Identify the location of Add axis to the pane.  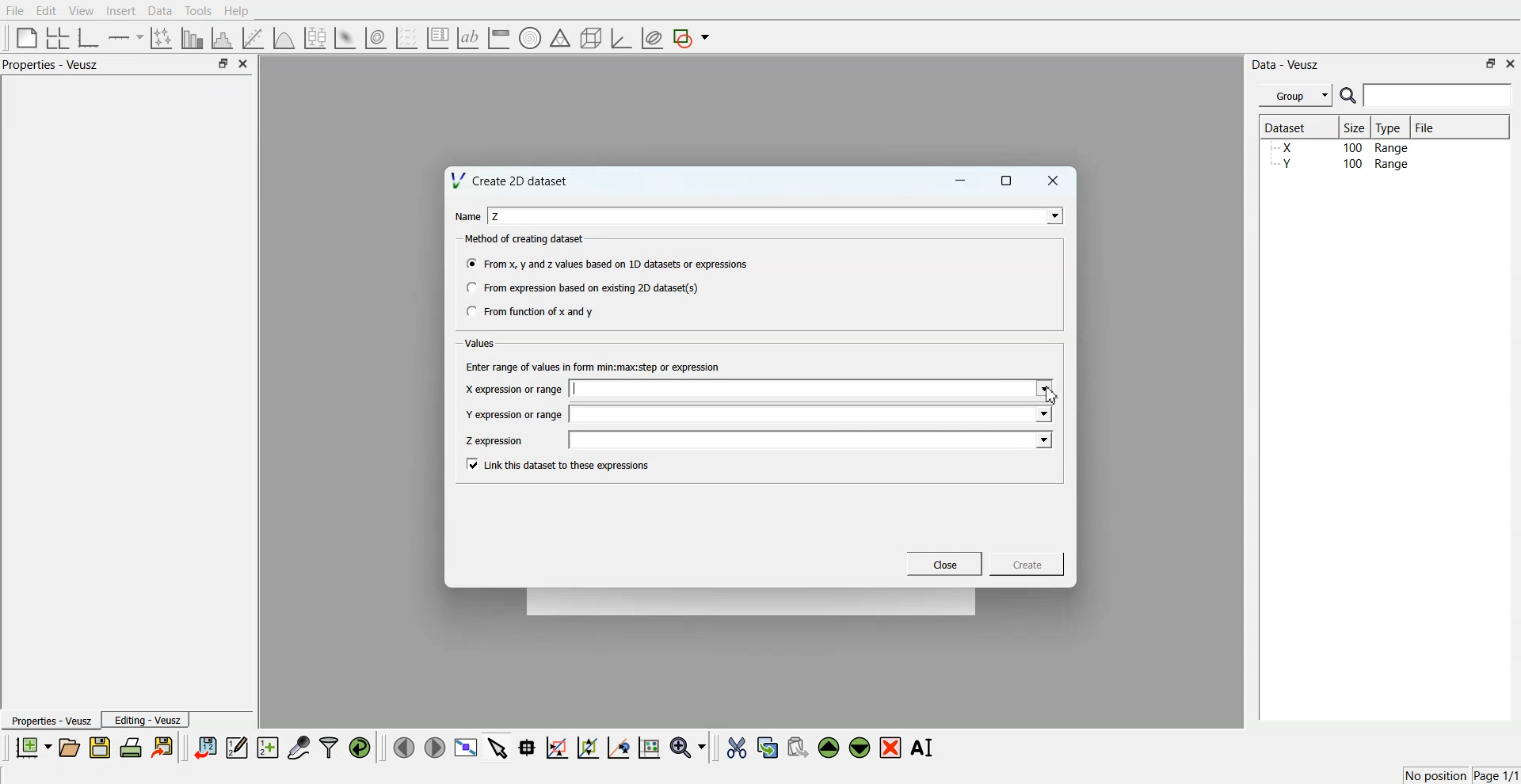
(125, 39).